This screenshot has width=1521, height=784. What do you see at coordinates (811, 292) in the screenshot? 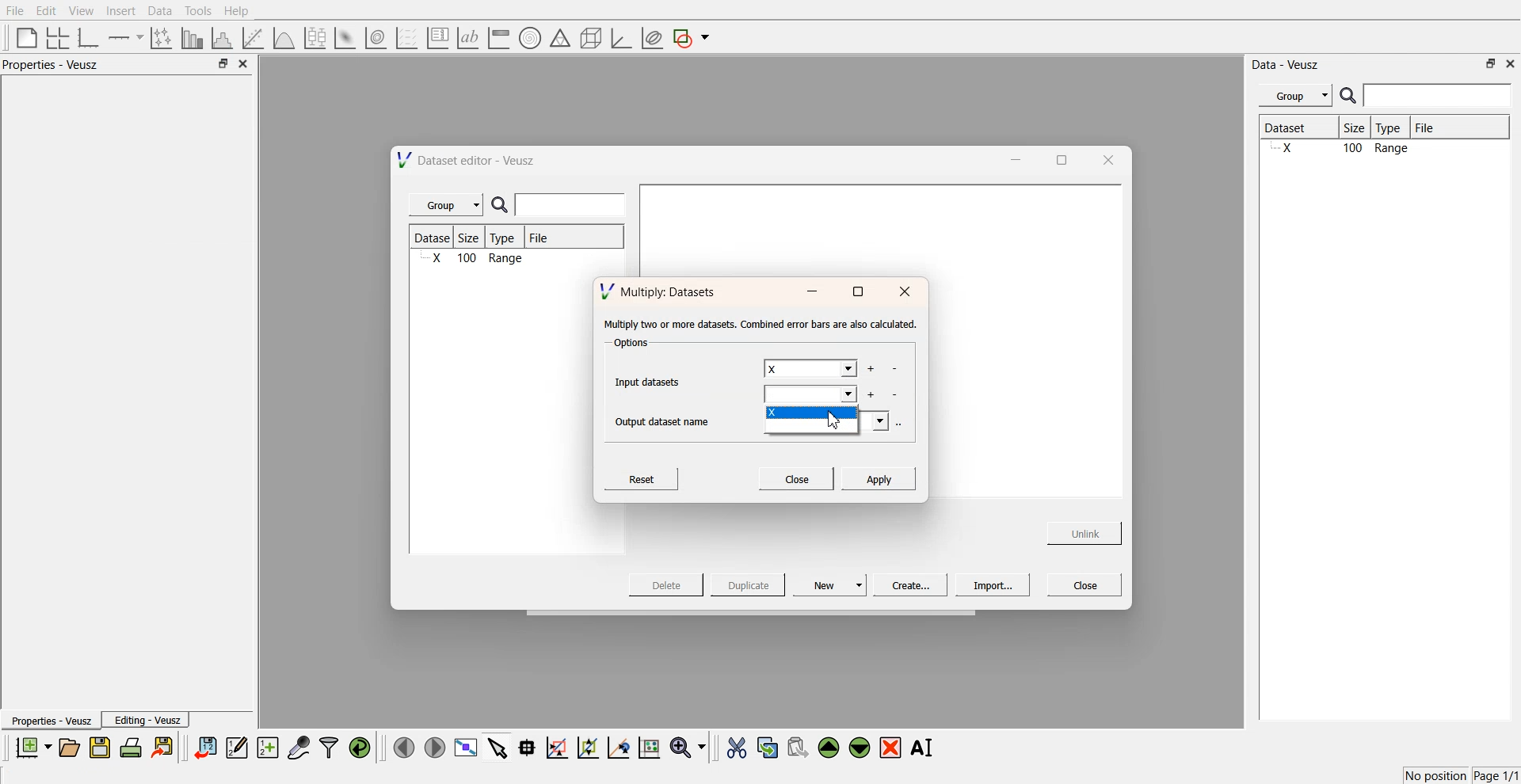
I see `minimise` at bounding box center [811, 292].